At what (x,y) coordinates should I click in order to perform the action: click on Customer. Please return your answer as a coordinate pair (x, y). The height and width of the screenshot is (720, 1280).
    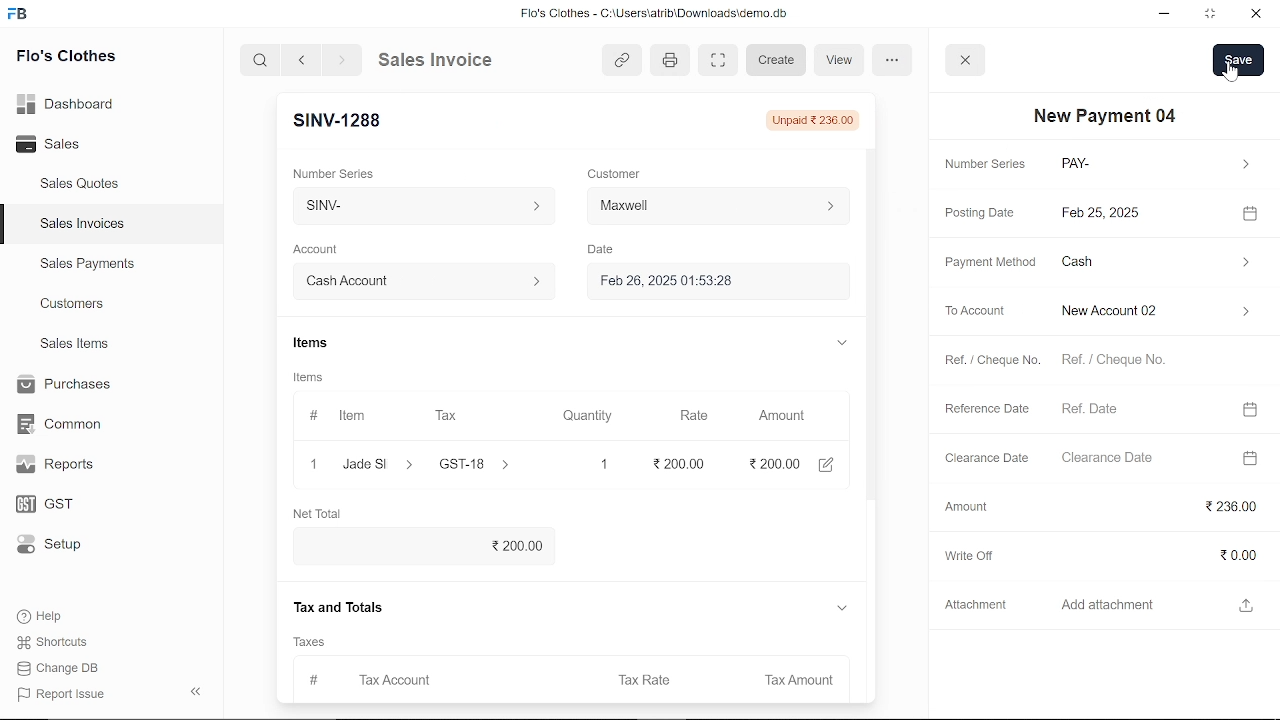
    Looking at the image, I should click on (720, 205).